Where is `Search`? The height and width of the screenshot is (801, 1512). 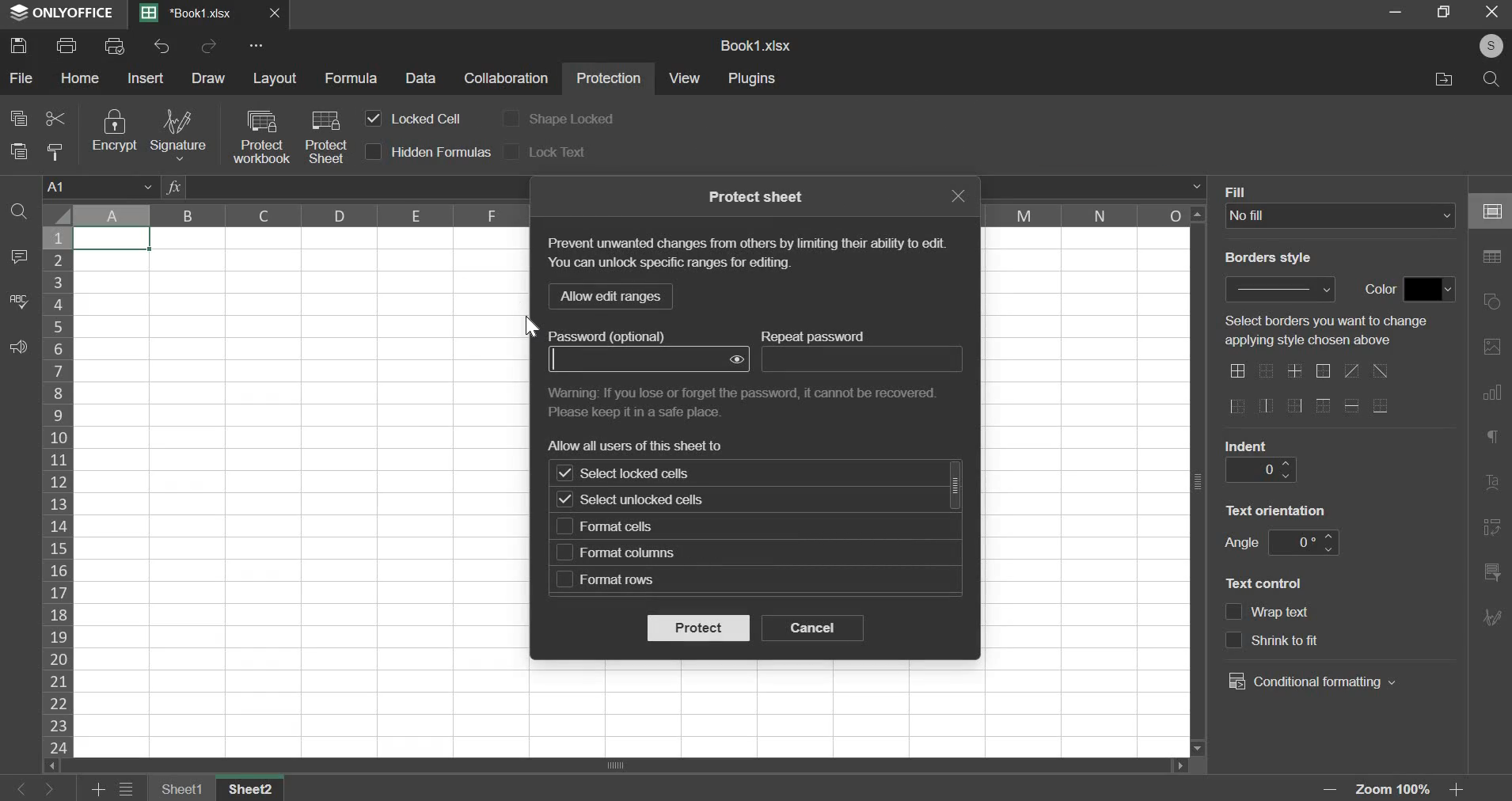 Search is located at coordinates (1492, 80).